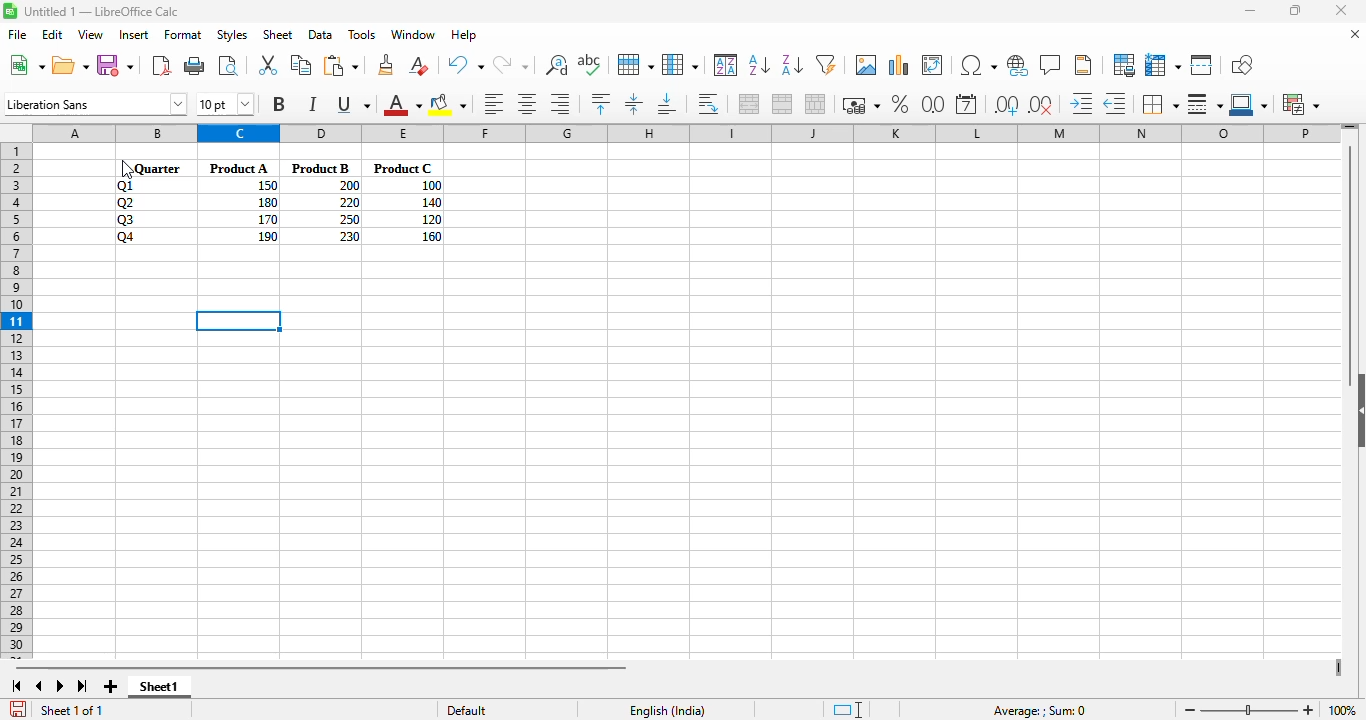 The image size is (1366, 720). Describe the element at coordinates (73, 710) in the screenshot. I see `Sheet 1 of 1` at that location.